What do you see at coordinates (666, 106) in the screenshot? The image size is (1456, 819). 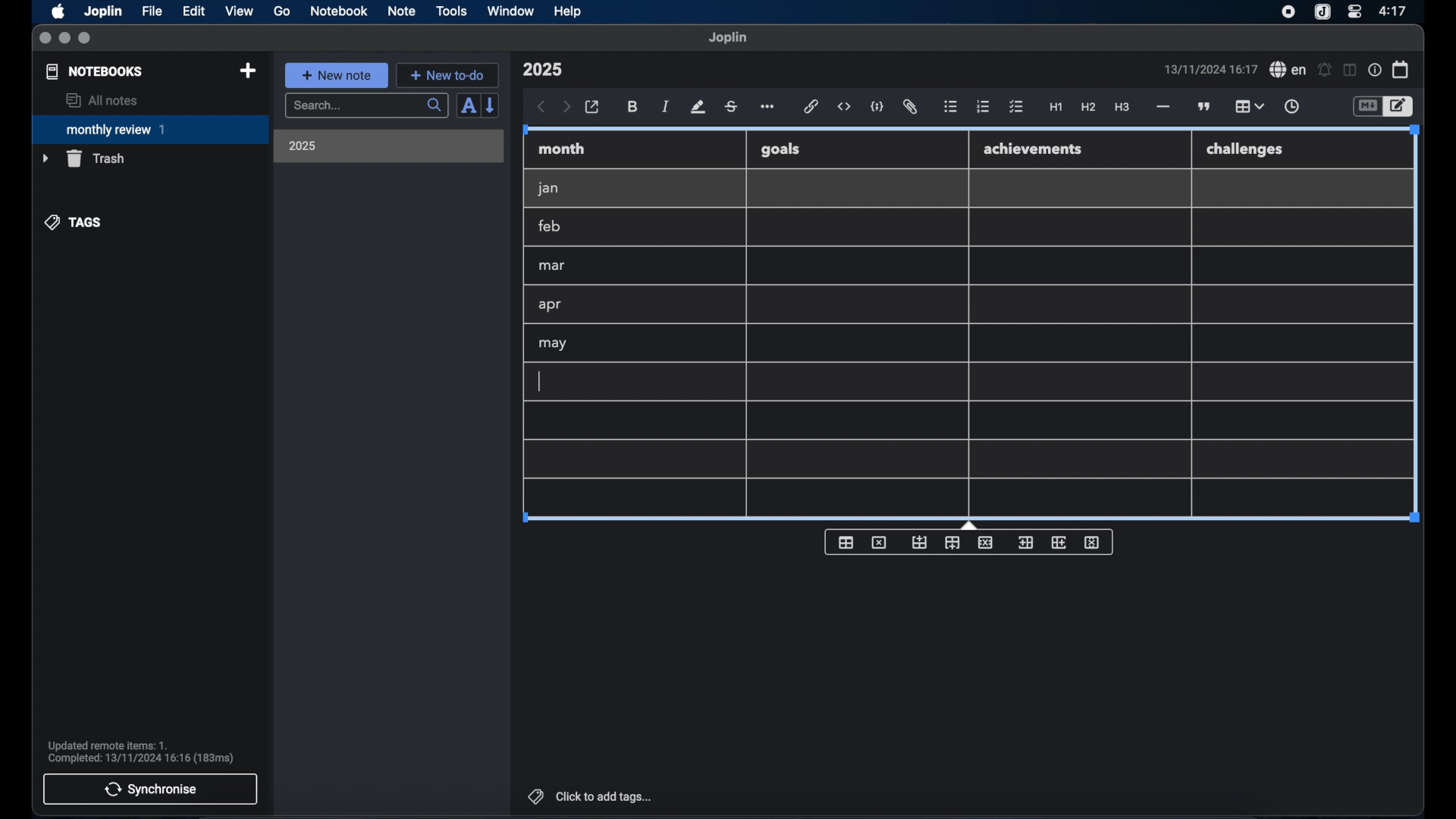 I see `italic` at bounding box center [666, 106].